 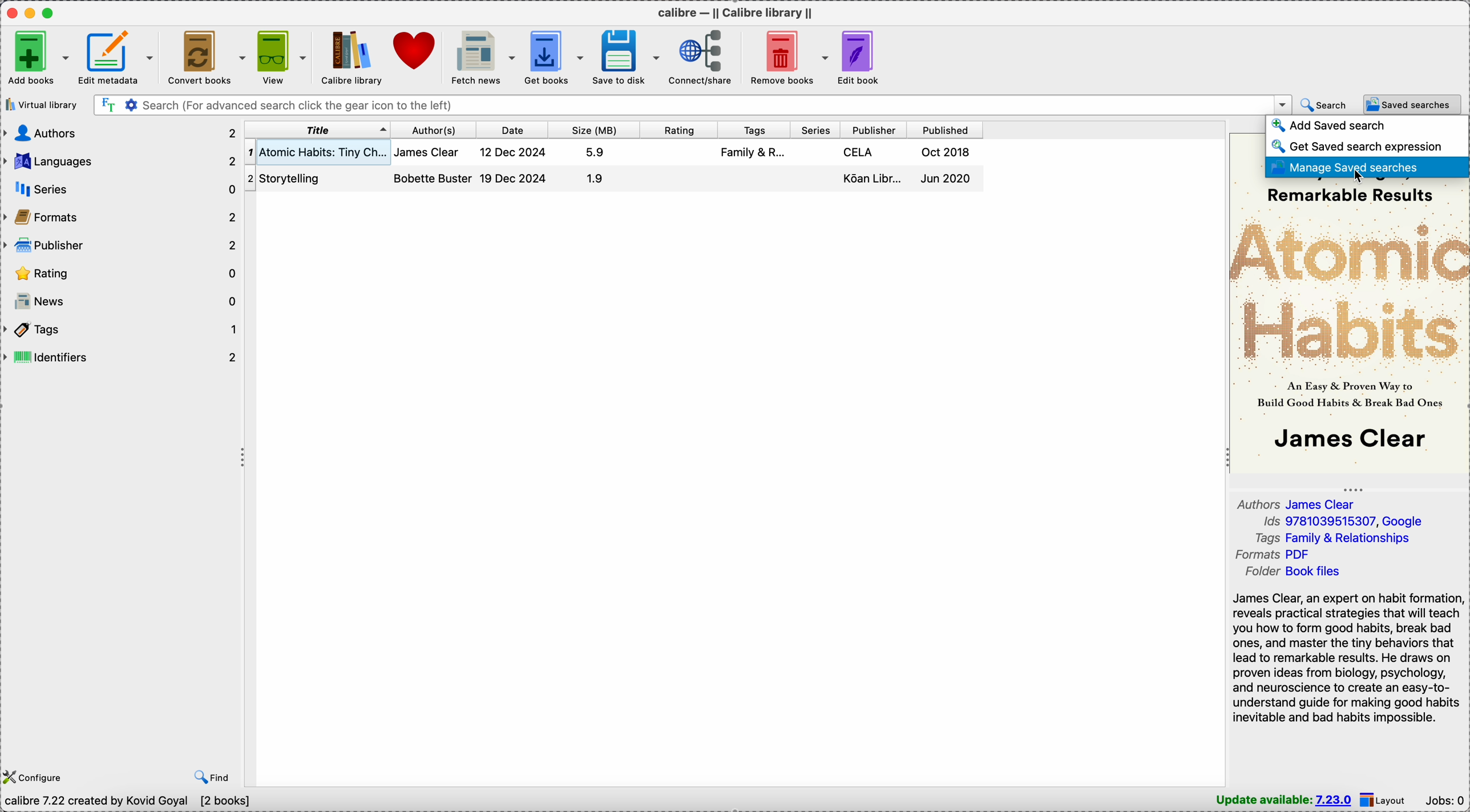 I want to click on minimize Calibre, so click(x=32, y=13).